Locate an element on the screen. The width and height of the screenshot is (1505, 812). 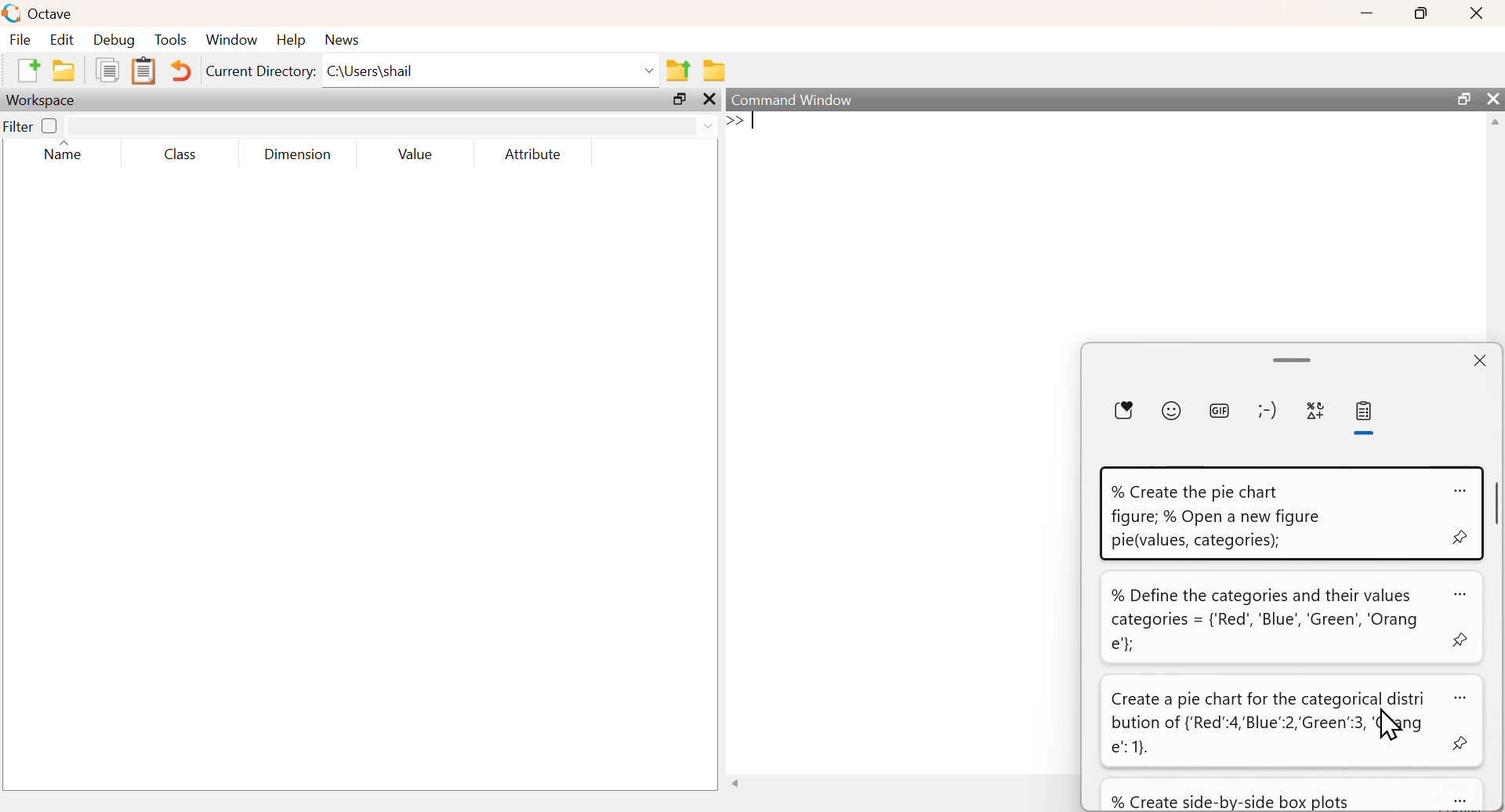
typing cursor is located at coordinates (739, 122).